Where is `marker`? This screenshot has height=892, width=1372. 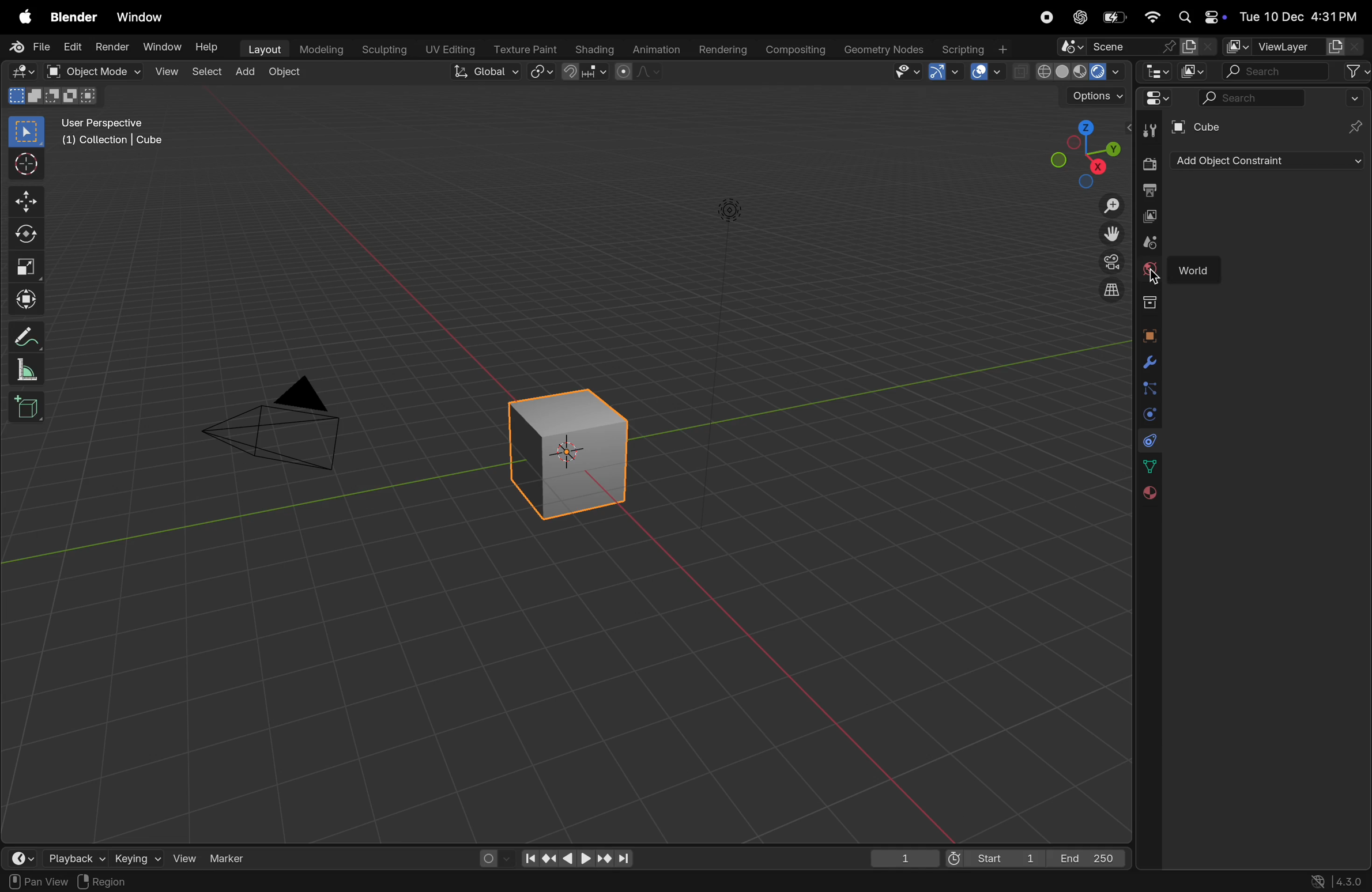
marker is located at coordinates (231, 857).